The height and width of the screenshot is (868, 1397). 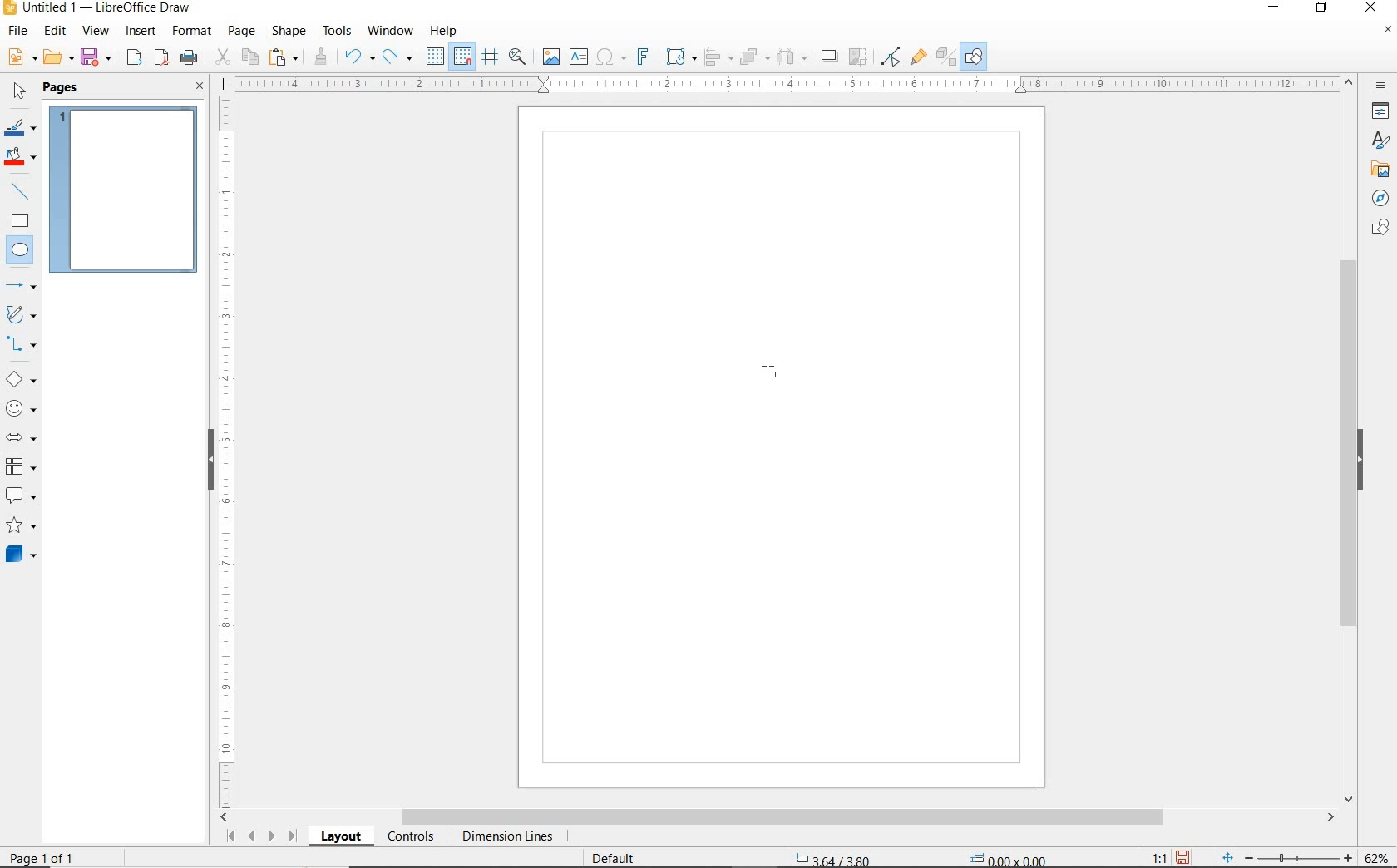 I want to click on LAYOUT, so click(x=340, y=839).